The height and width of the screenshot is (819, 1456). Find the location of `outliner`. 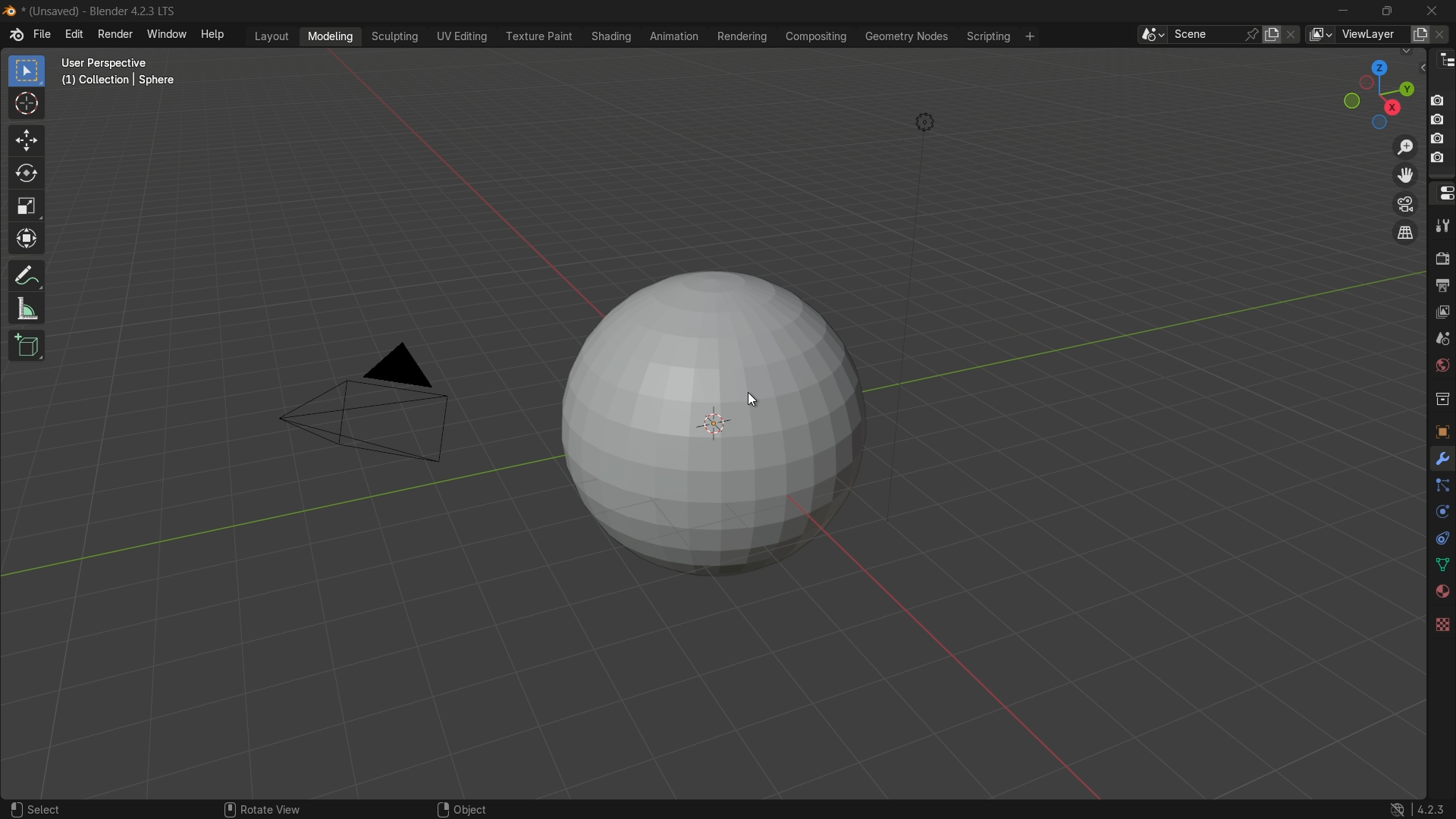

outliner is located at coordinates (1444, 64).